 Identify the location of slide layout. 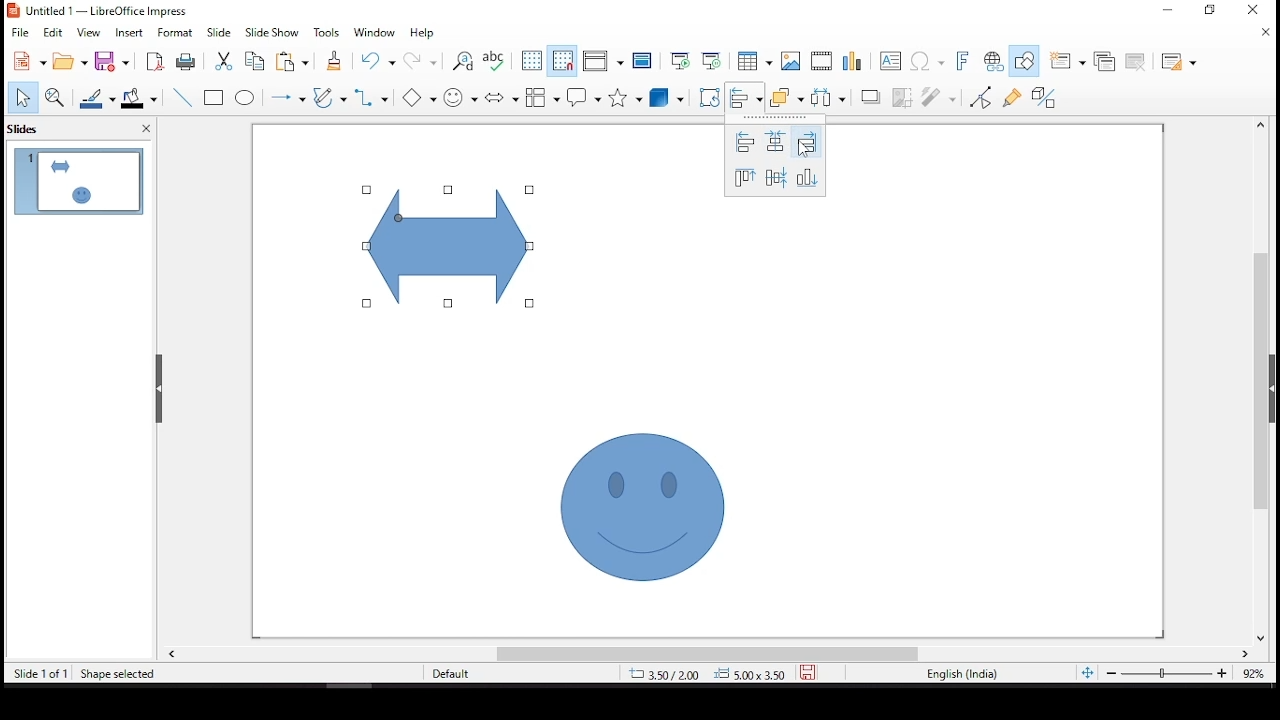
(1180, 62).